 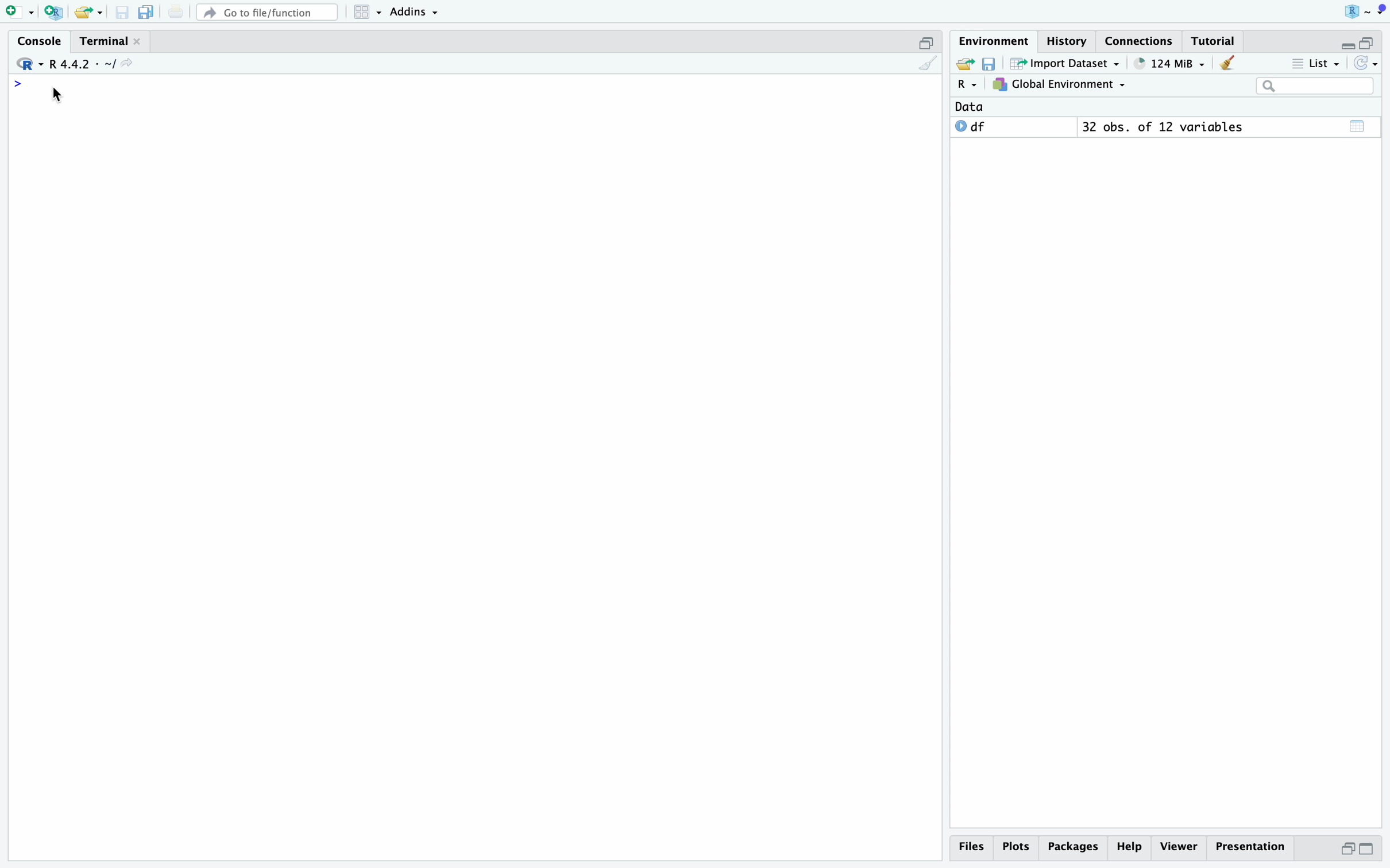 I want to click on 32 obs. of 12 variables, so click(x=1164, y=127).